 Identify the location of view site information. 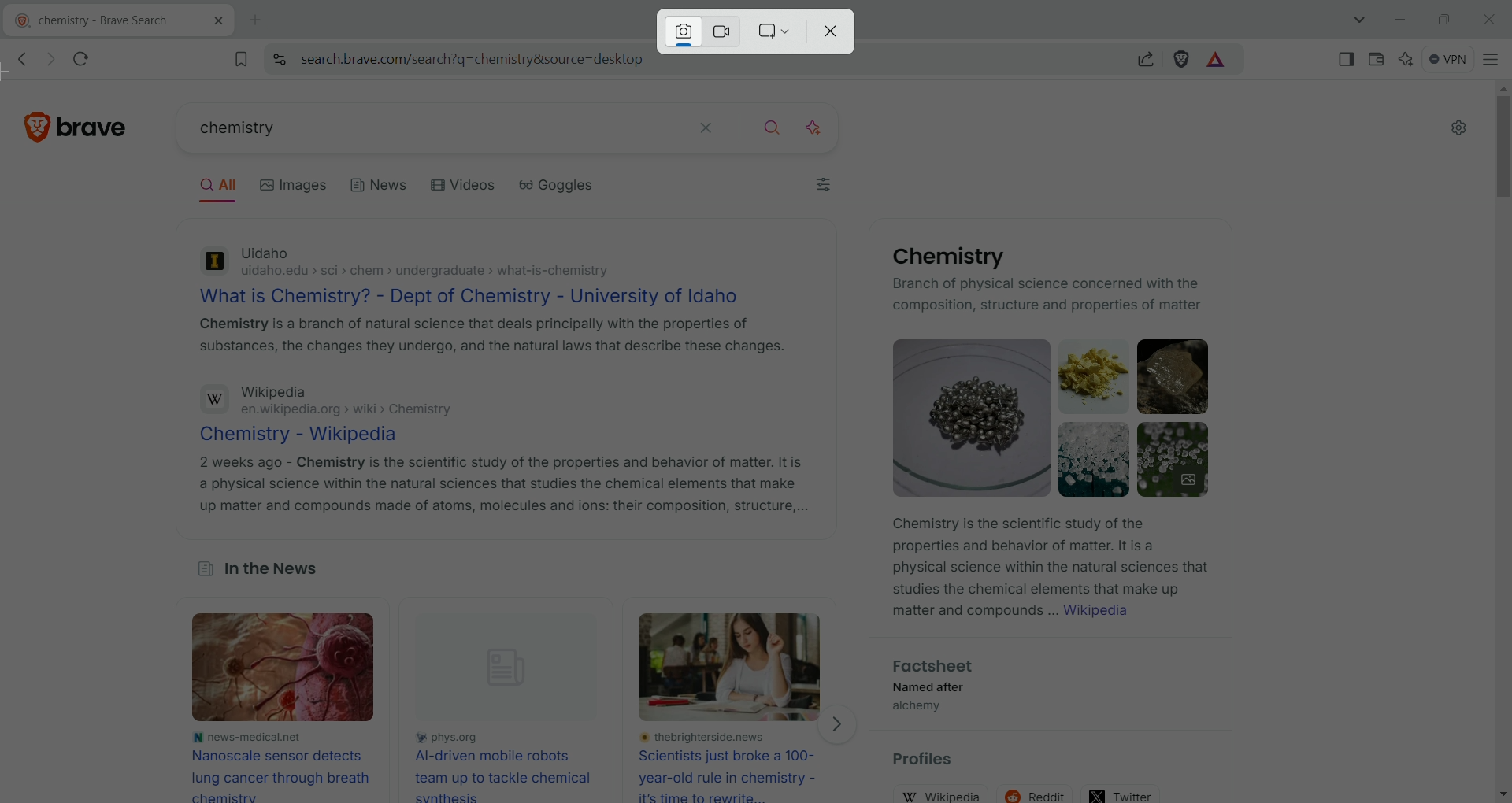
(279, 59).